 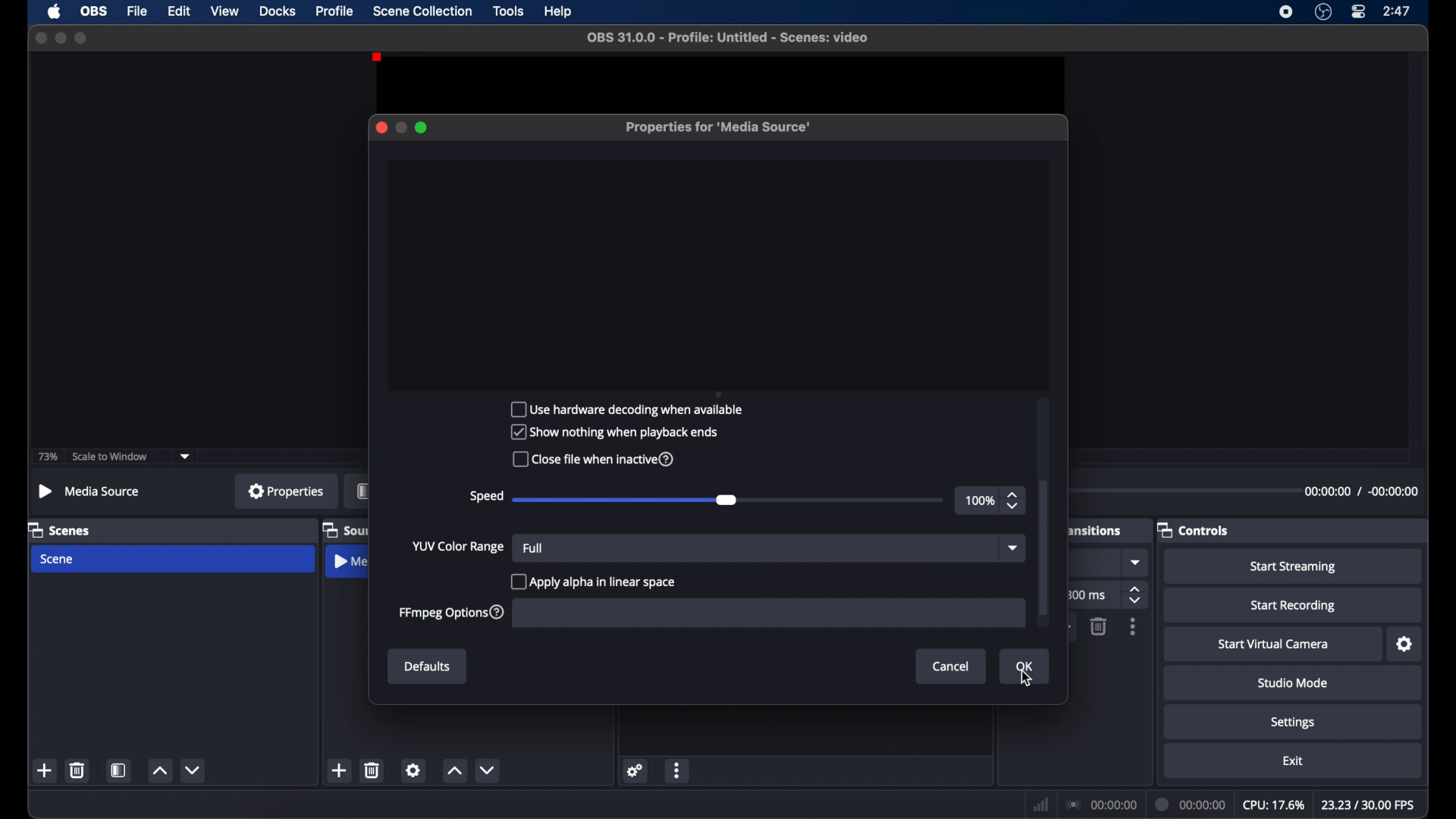 What do you see at coordinates (423, 127) in the screenshot?
I see `maximize` at bounding box center [423, 127].